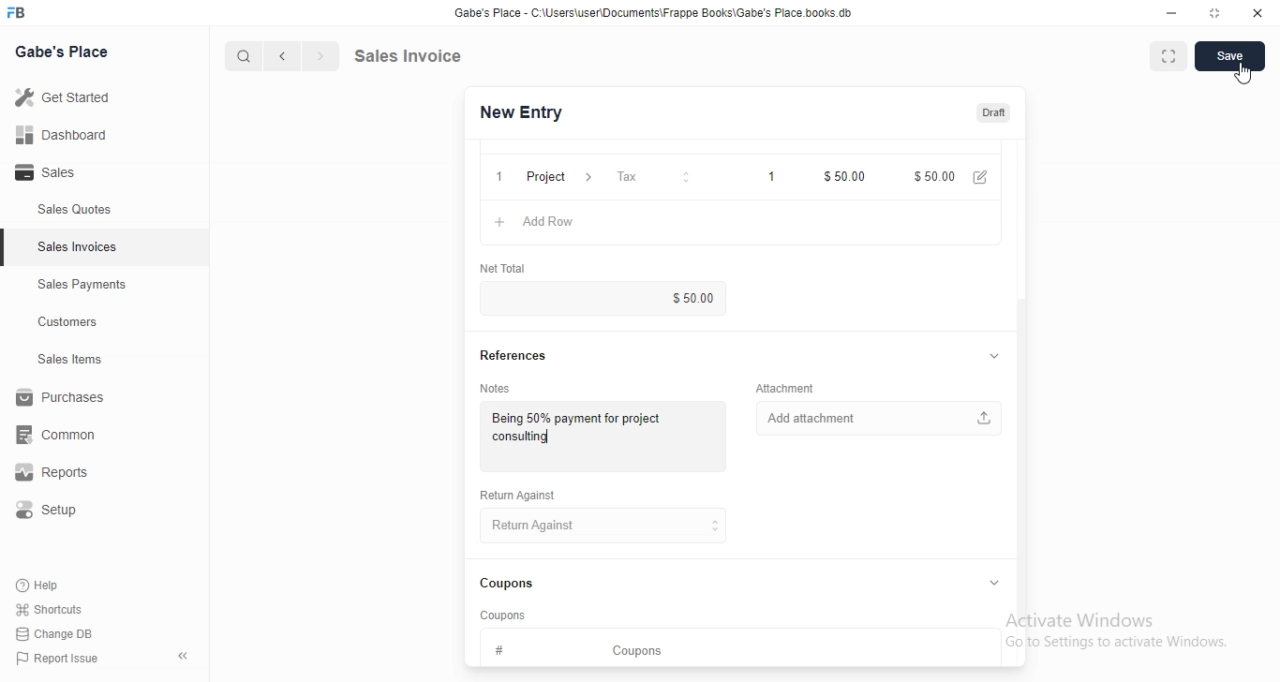 The height and width of the screenshot is (682, 1280). I want to click on common, so click(62, 434).